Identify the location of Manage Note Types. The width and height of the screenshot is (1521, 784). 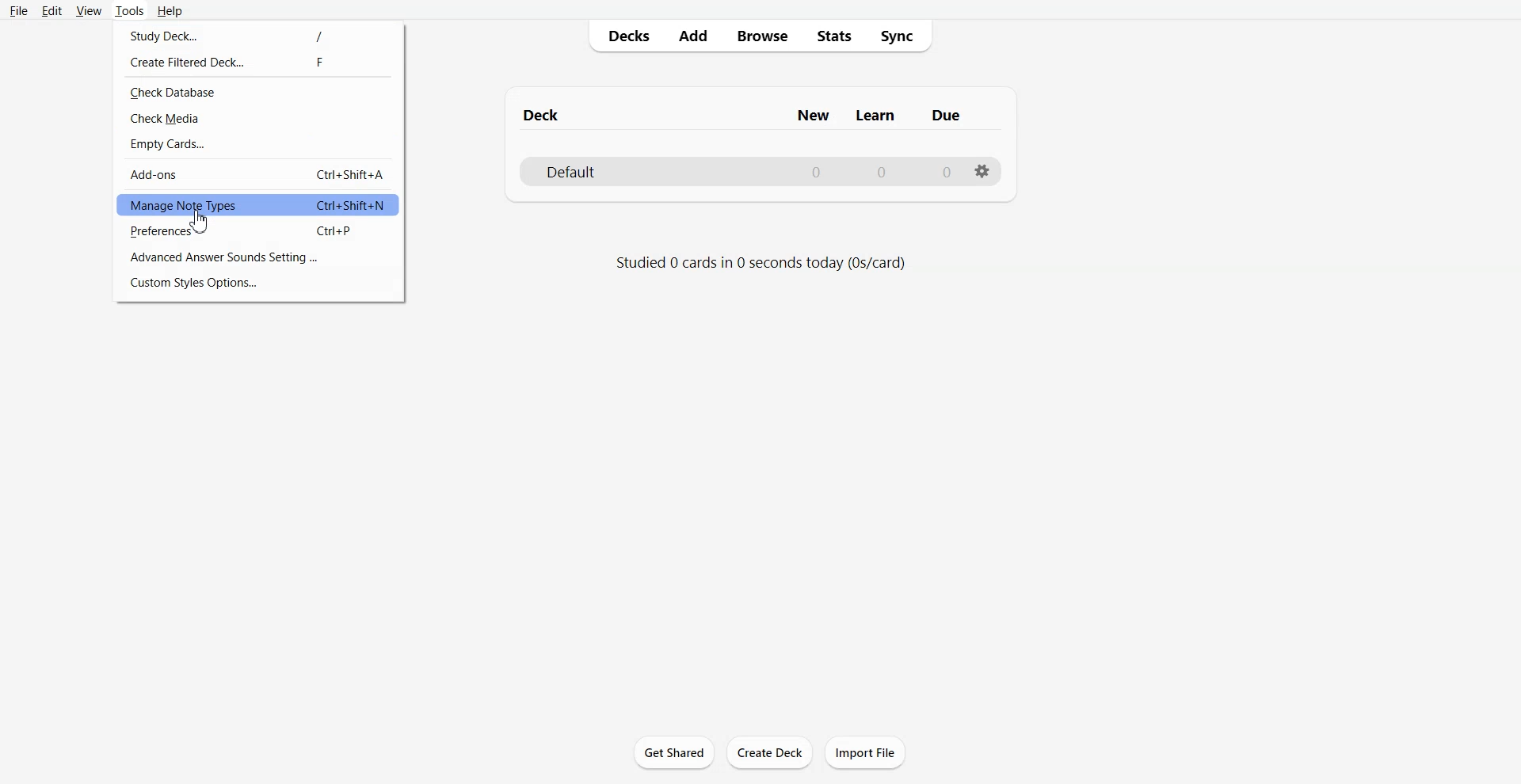
(258, 204).